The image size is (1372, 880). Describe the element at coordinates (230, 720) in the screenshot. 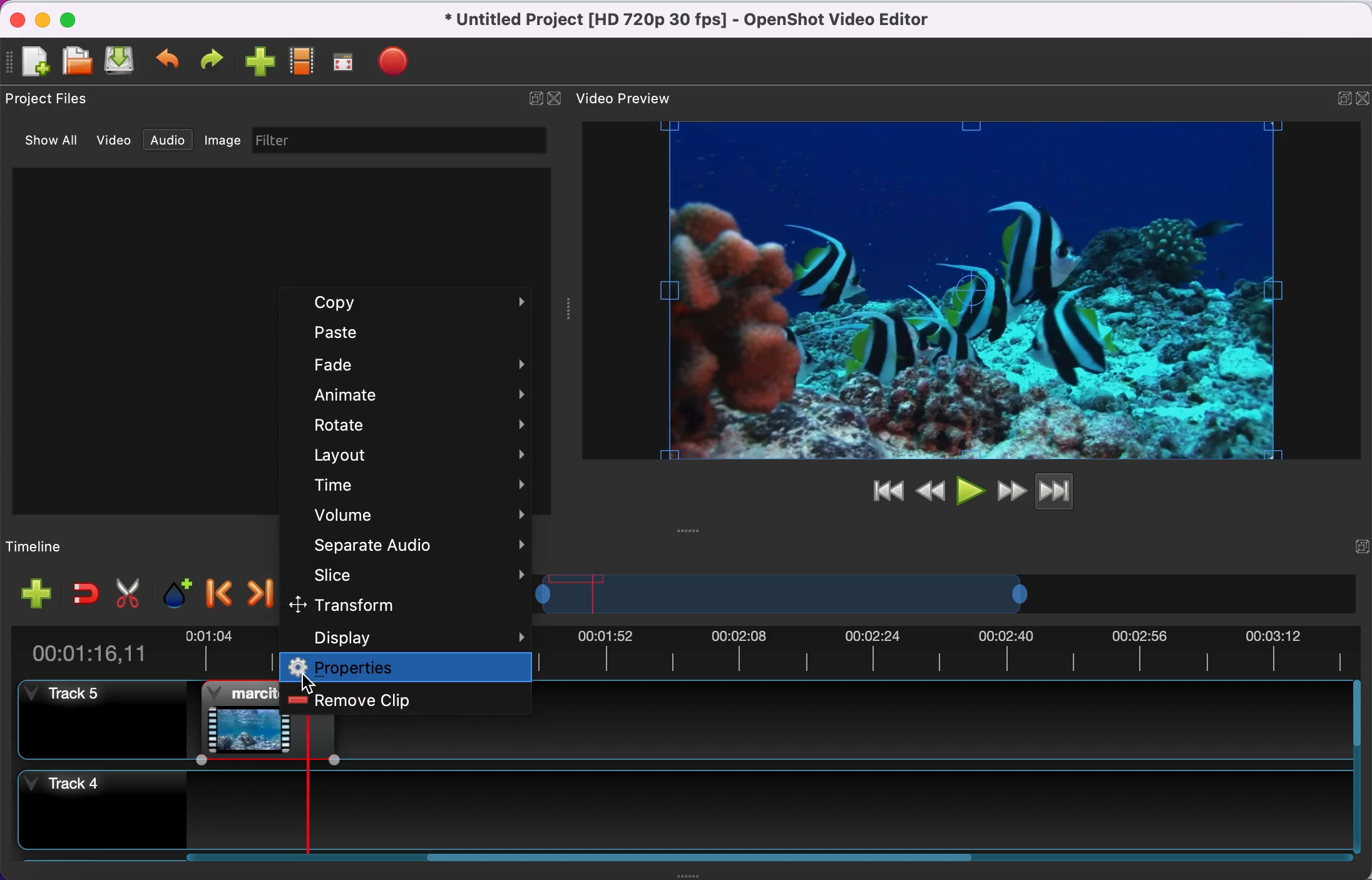

I see `video clip` at that location.